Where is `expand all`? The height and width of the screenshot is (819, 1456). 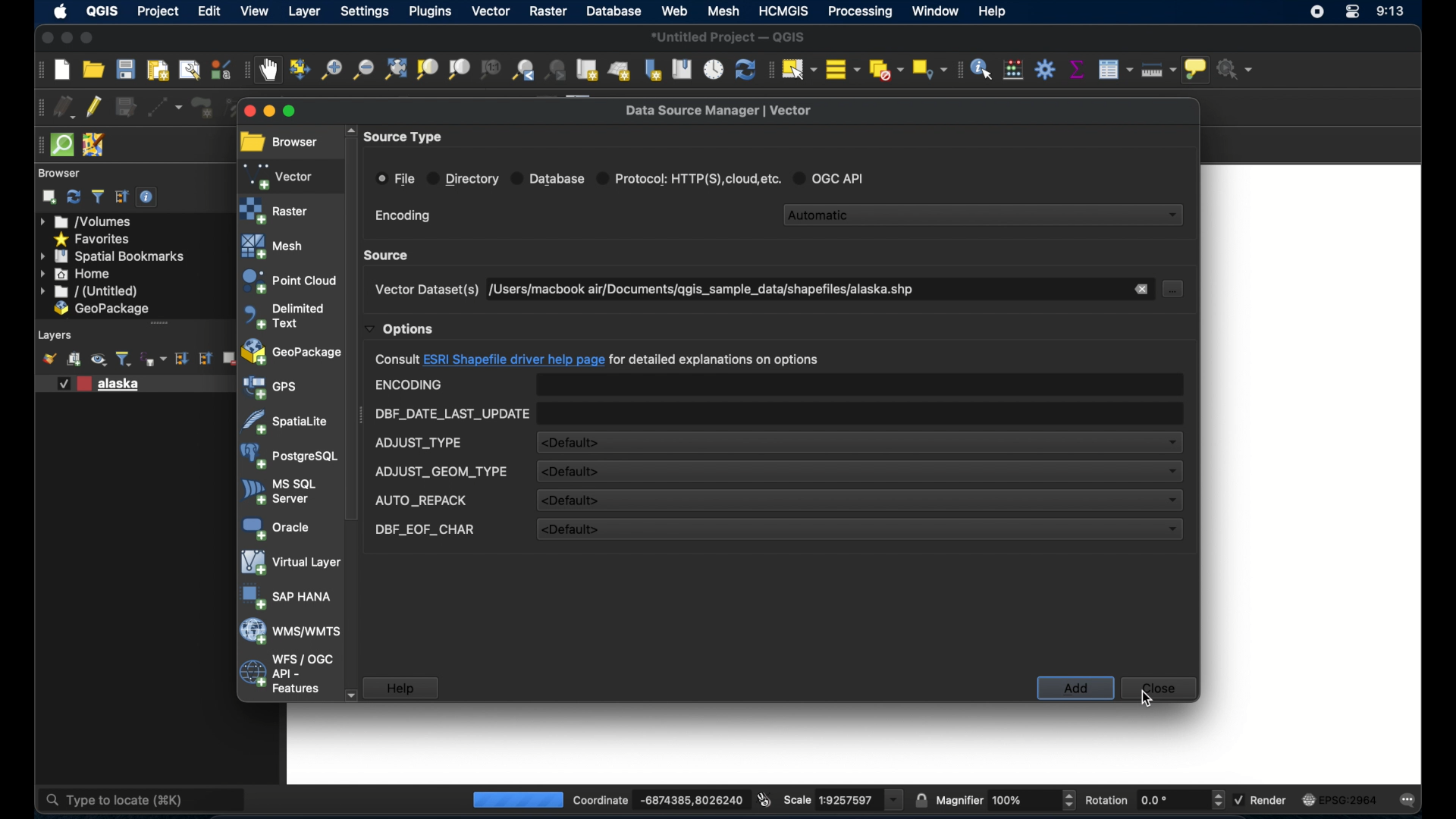
expand all is located at coordinates (180, 359).